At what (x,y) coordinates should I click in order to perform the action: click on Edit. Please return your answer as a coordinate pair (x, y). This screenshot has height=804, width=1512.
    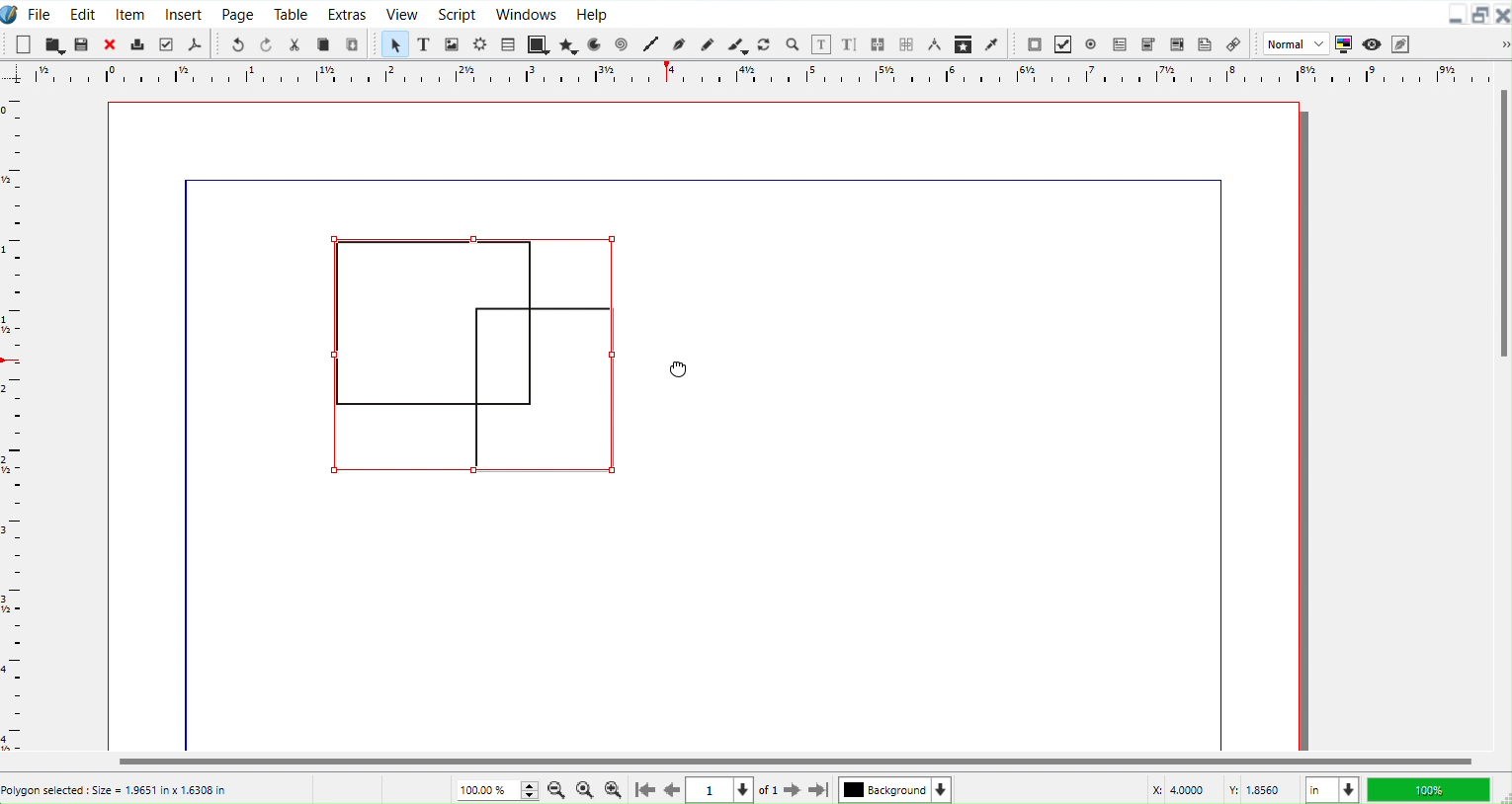
    Looking at the image, I should click on (82, 12).